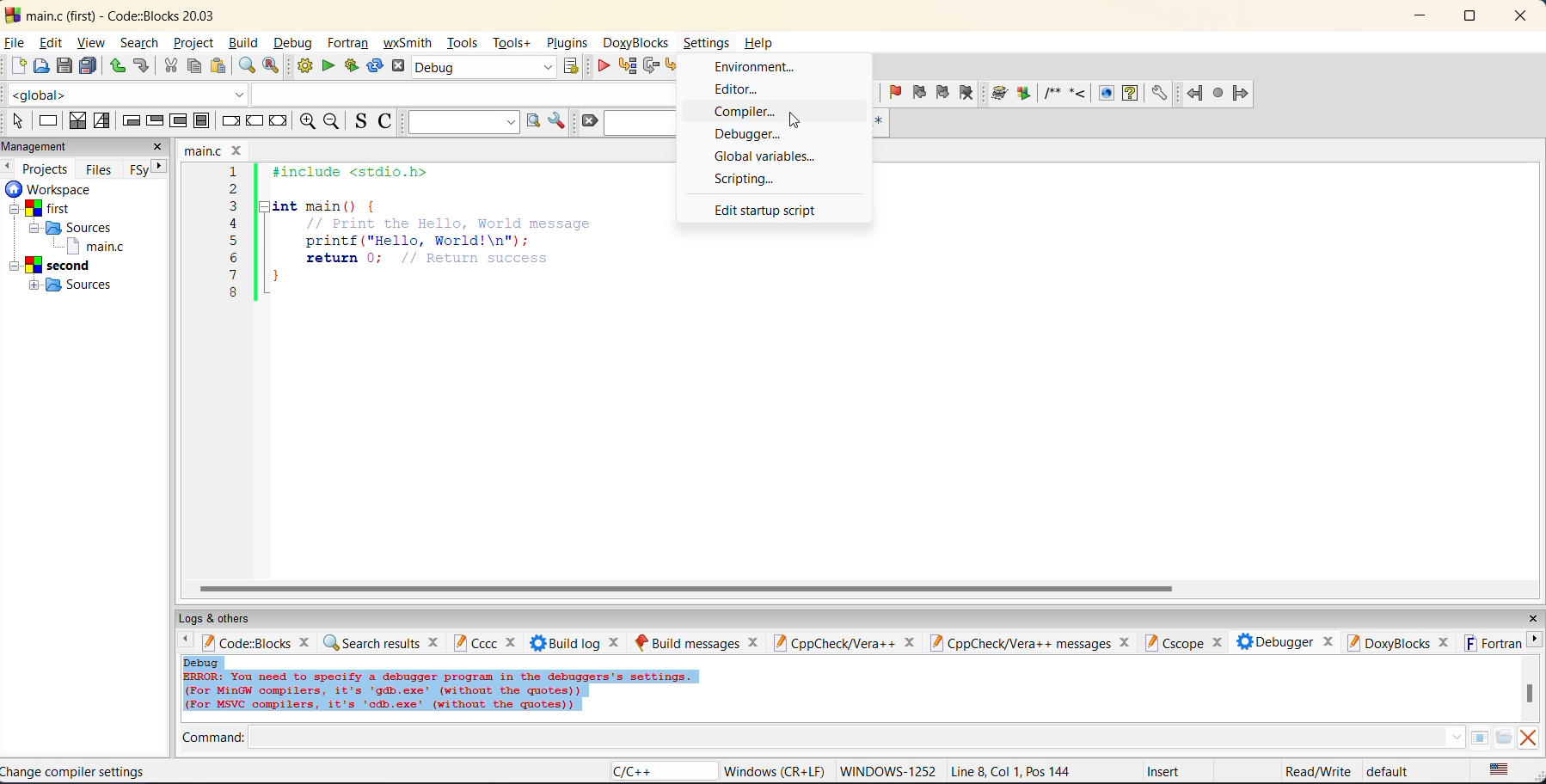 The height and width of the screenshot is (784, 1546). I want to click on edit, so click(48, 43).